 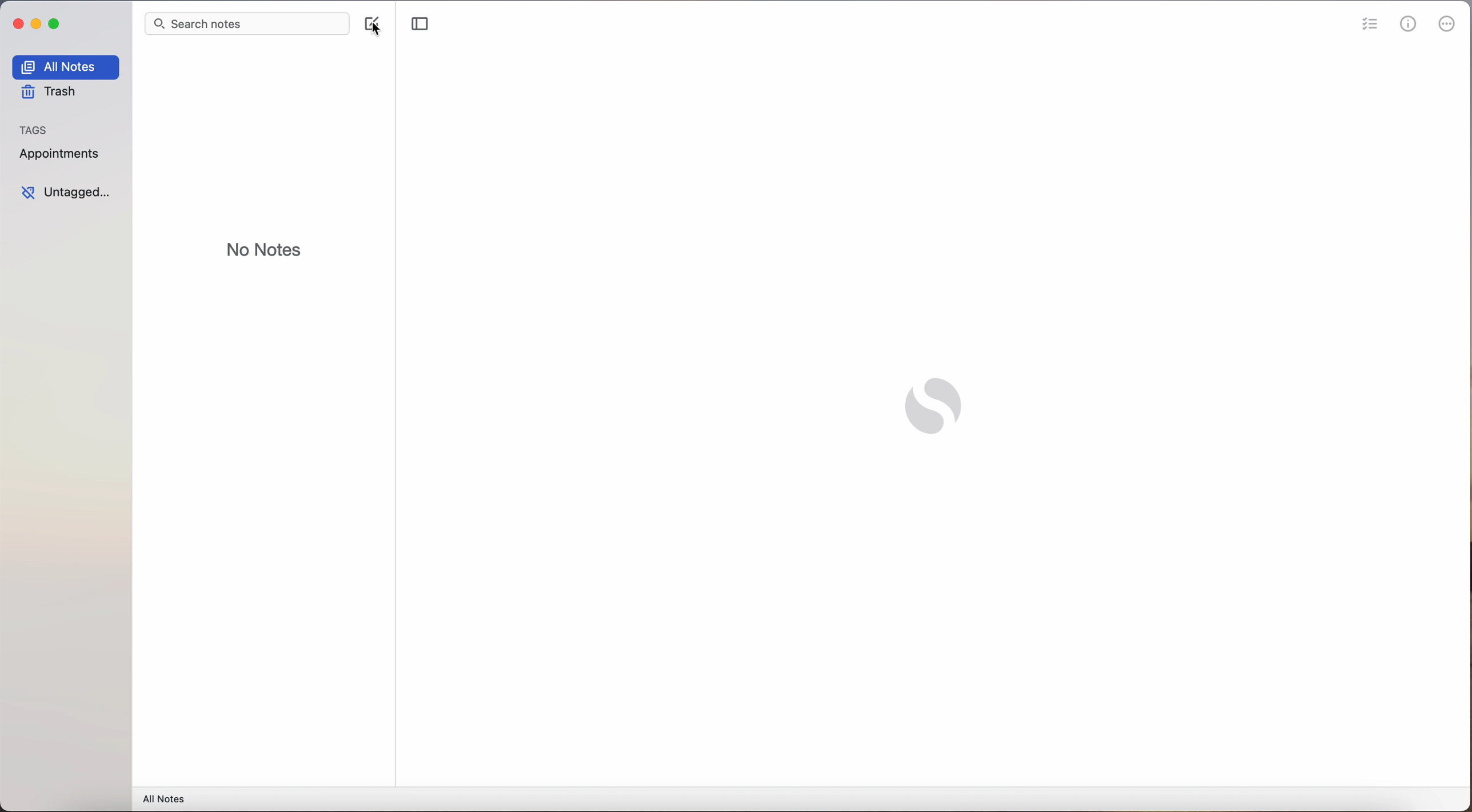 What do you see at coordinates (166, 798) in the screenshot?
I see `all notes` at bounding box center [166, 798].